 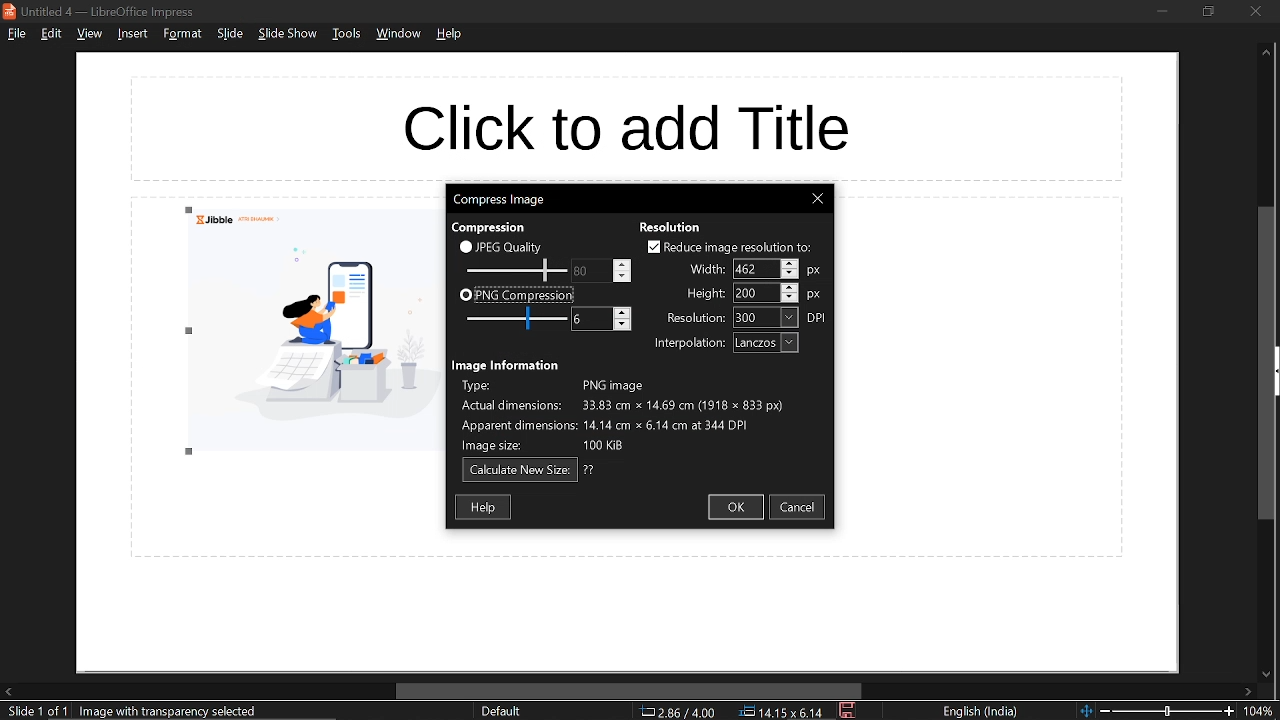 I want to click on Change JPEG quality , so click(x=516, y=271).